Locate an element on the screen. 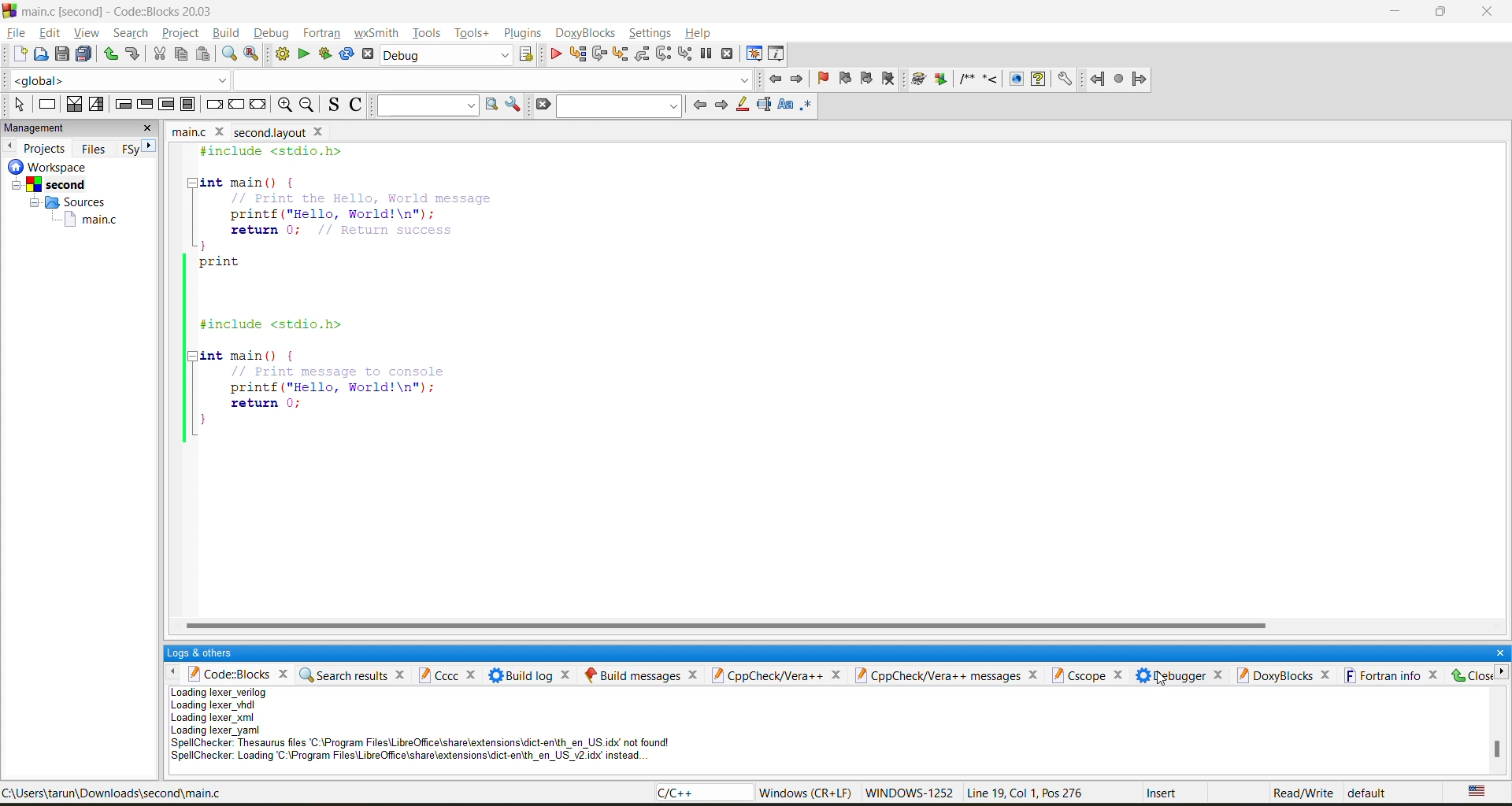  fortran is located at coordinates (1119, 79).